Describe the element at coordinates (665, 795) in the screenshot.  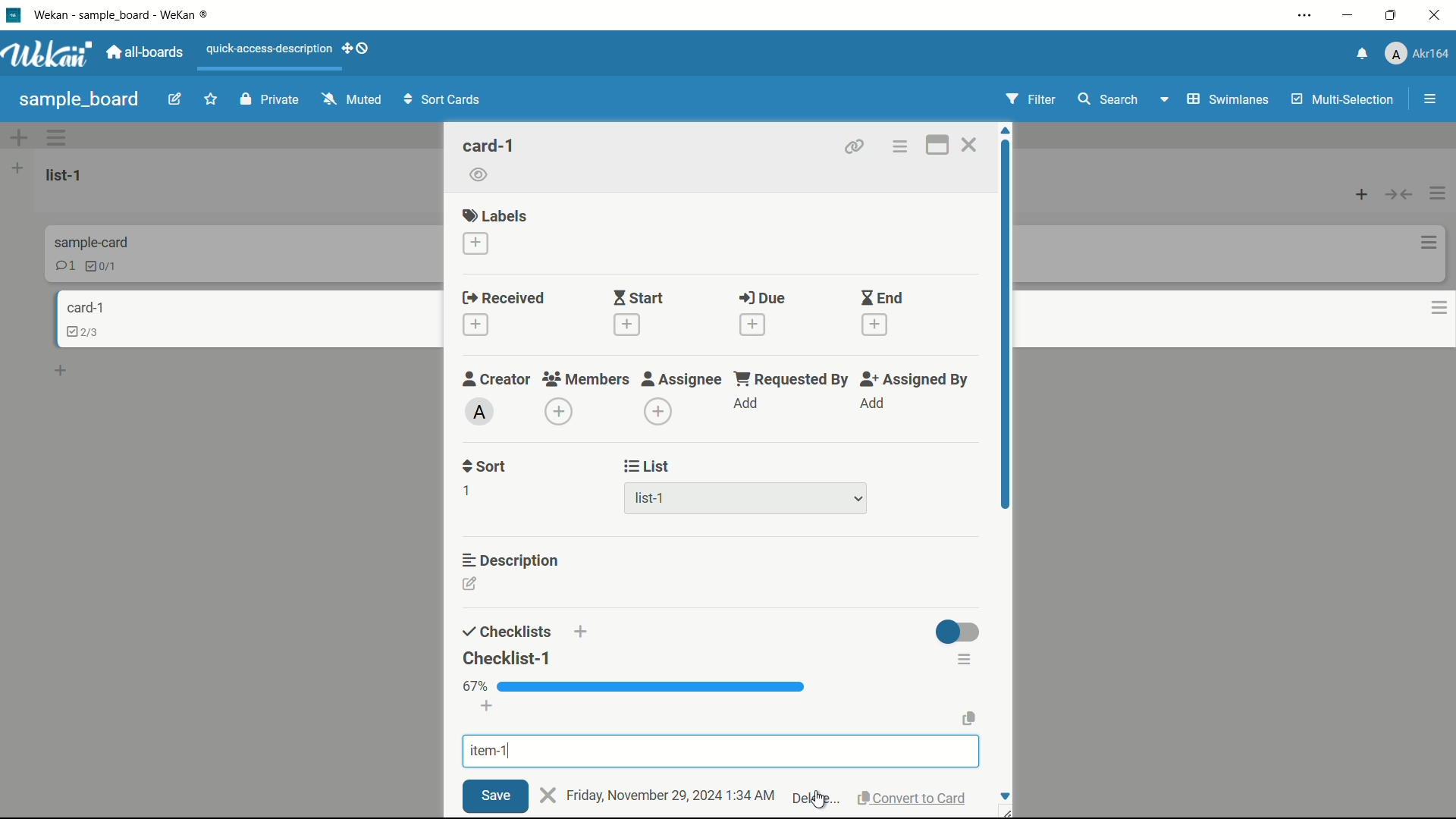
I see `November 29, 2024` at that location.